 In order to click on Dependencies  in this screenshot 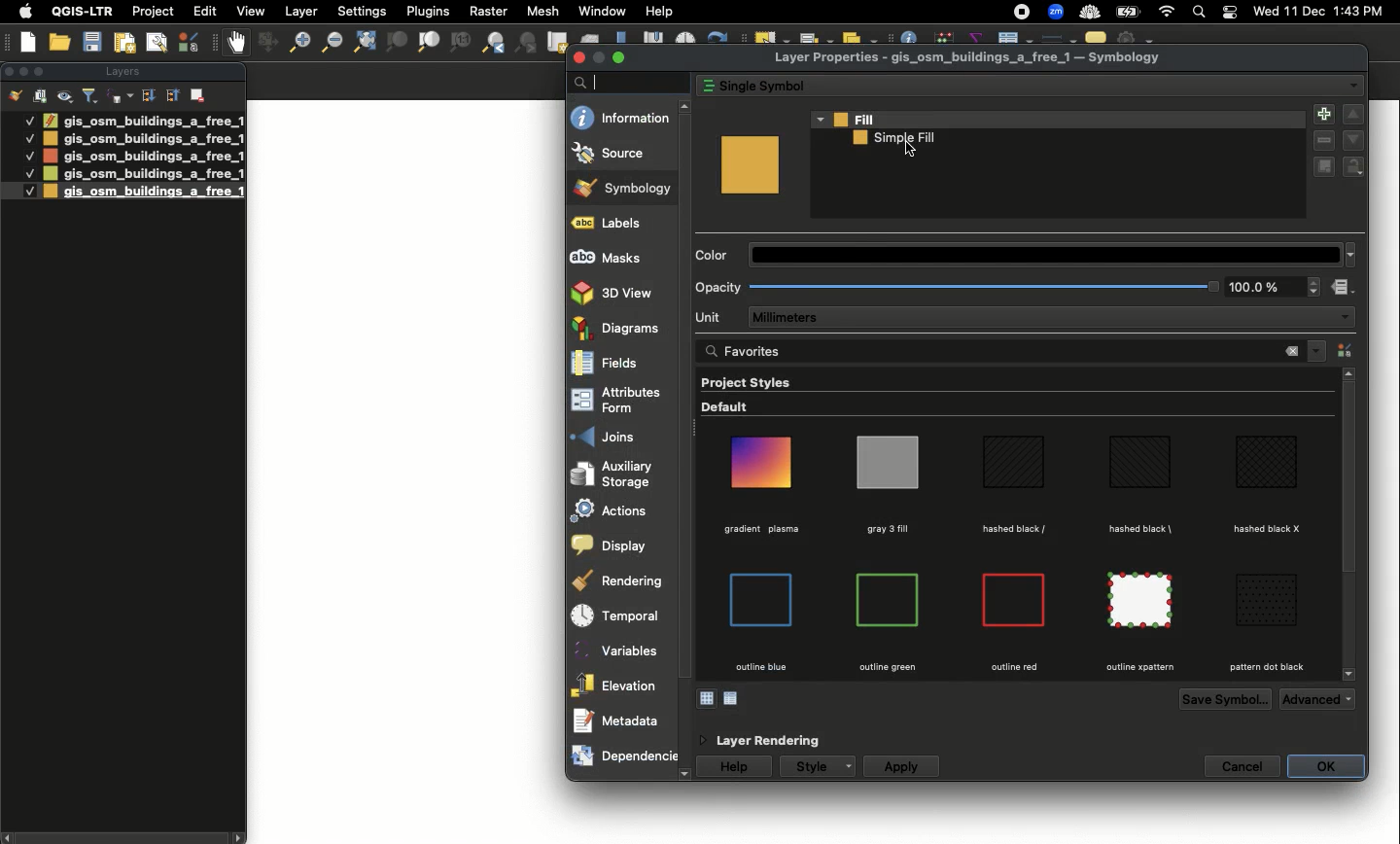, I will do `click(623, 756)`.